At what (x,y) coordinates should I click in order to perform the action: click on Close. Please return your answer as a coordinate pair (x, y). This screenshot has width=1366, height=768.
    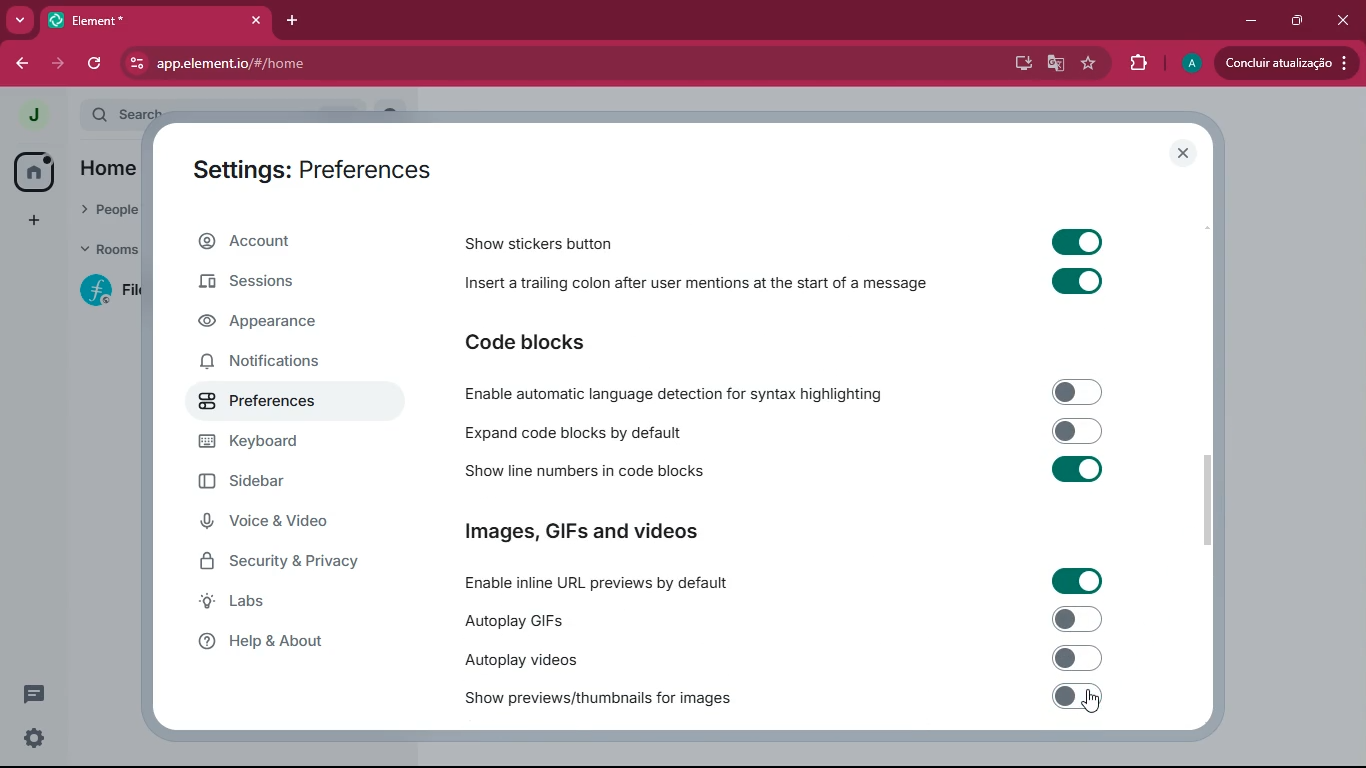
    Looking at the image, I should click on (1183, 153).